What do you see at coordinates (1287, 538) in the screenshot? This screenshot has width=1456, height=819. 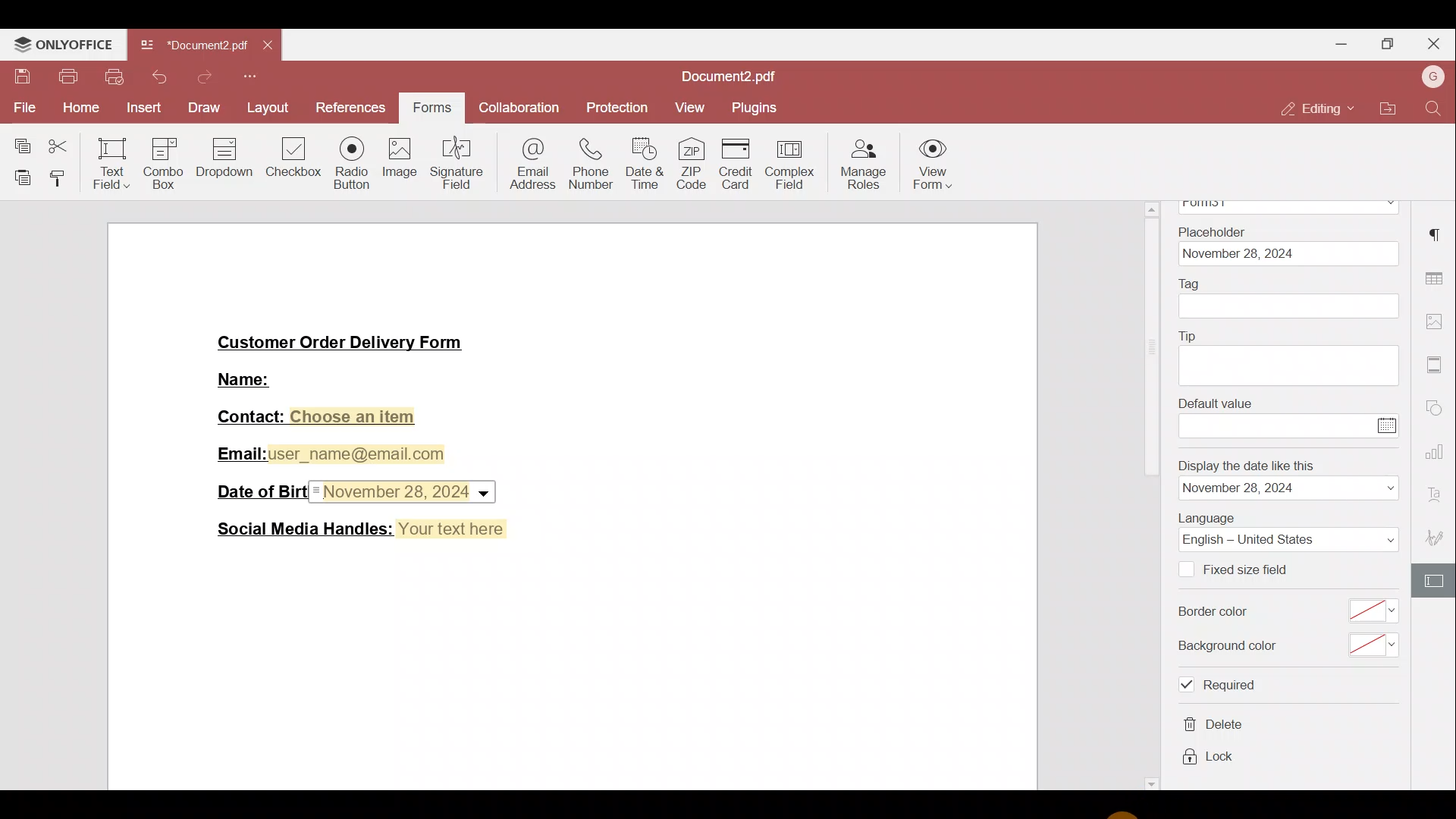 I see `Language ` at bounding box center [1287, 538].